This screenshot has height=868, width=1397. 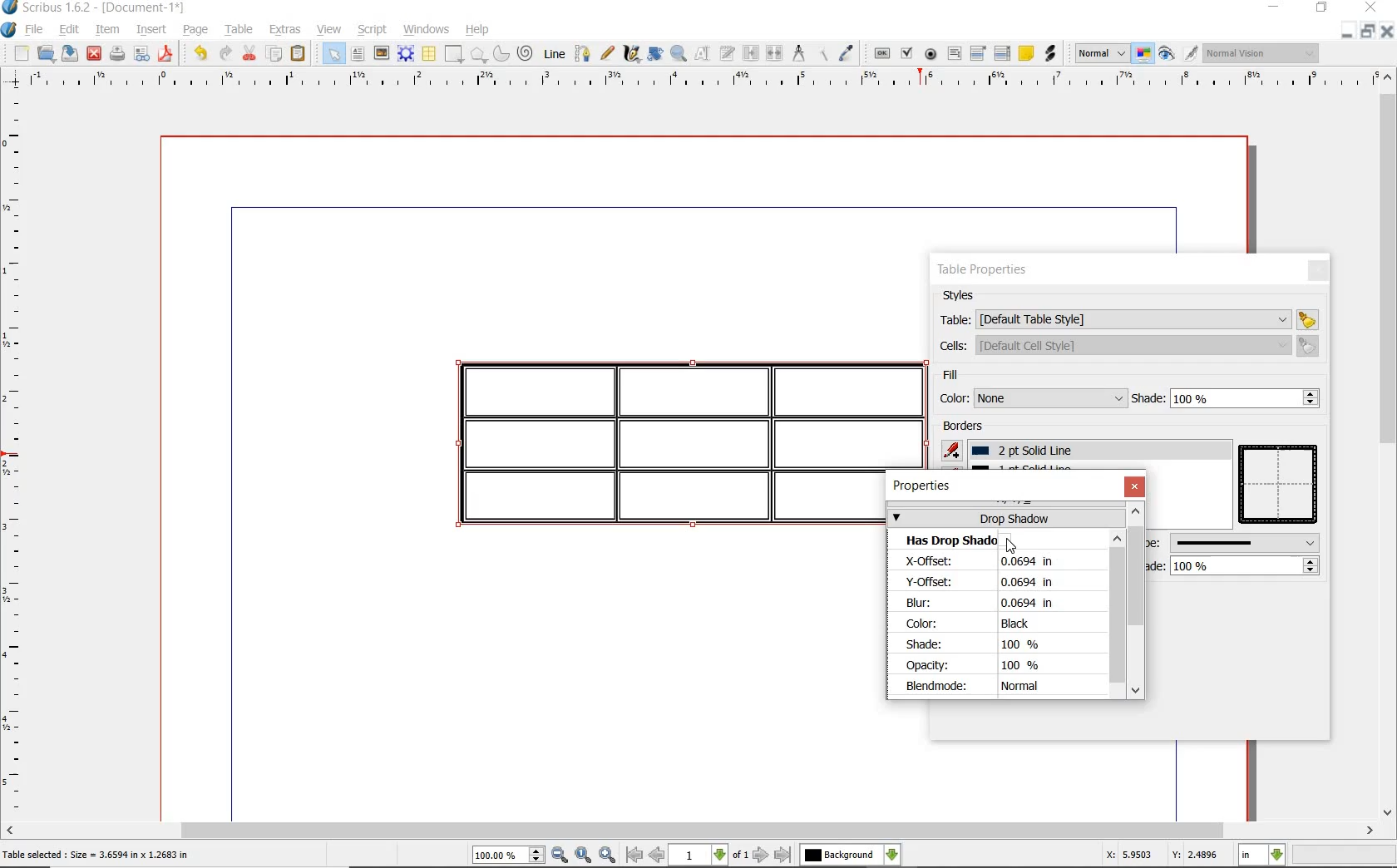 What do you see at coordinates (1369, 30) in the screenshot?
I see `RESTORE` at bounding box center [1369, 30].